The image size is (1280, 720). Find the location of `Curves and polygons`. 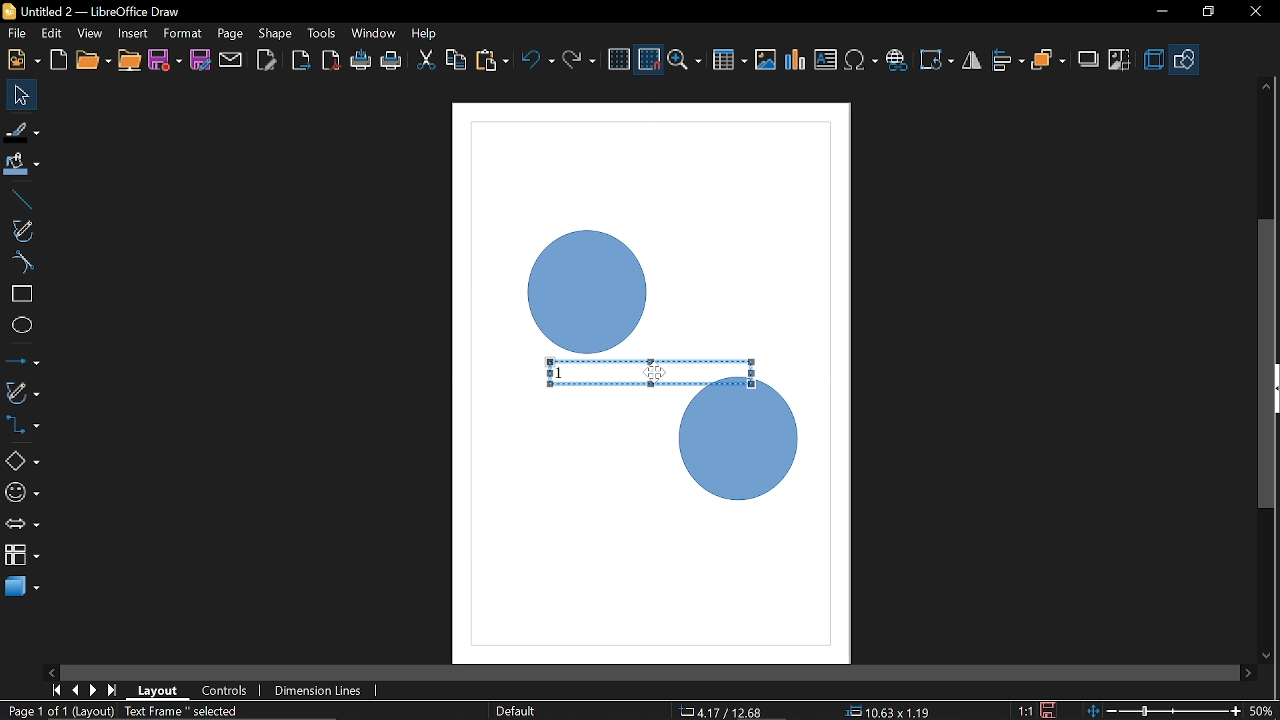

Curves and polygons is located at coordinates (21, 392).